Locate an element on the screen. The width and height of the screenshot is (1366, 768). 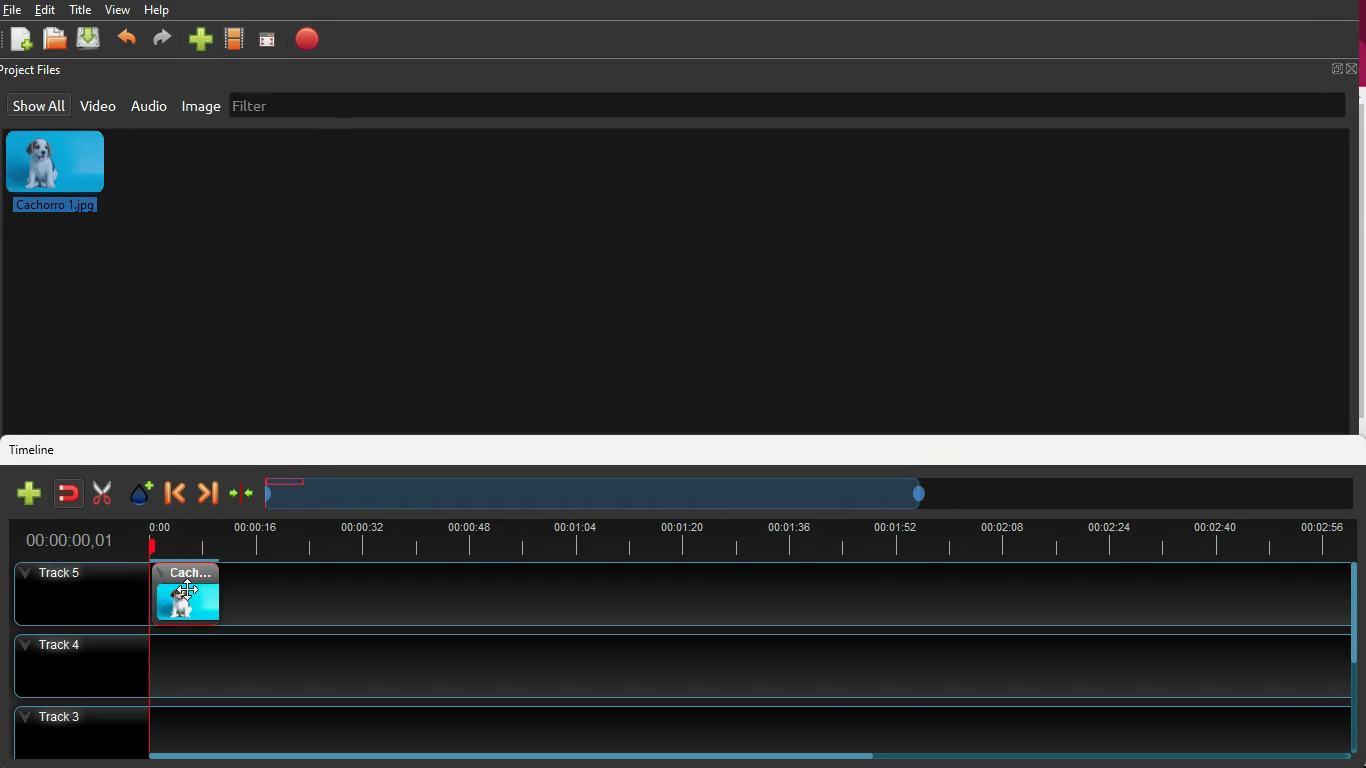
video is located at coordinates (99, 105).